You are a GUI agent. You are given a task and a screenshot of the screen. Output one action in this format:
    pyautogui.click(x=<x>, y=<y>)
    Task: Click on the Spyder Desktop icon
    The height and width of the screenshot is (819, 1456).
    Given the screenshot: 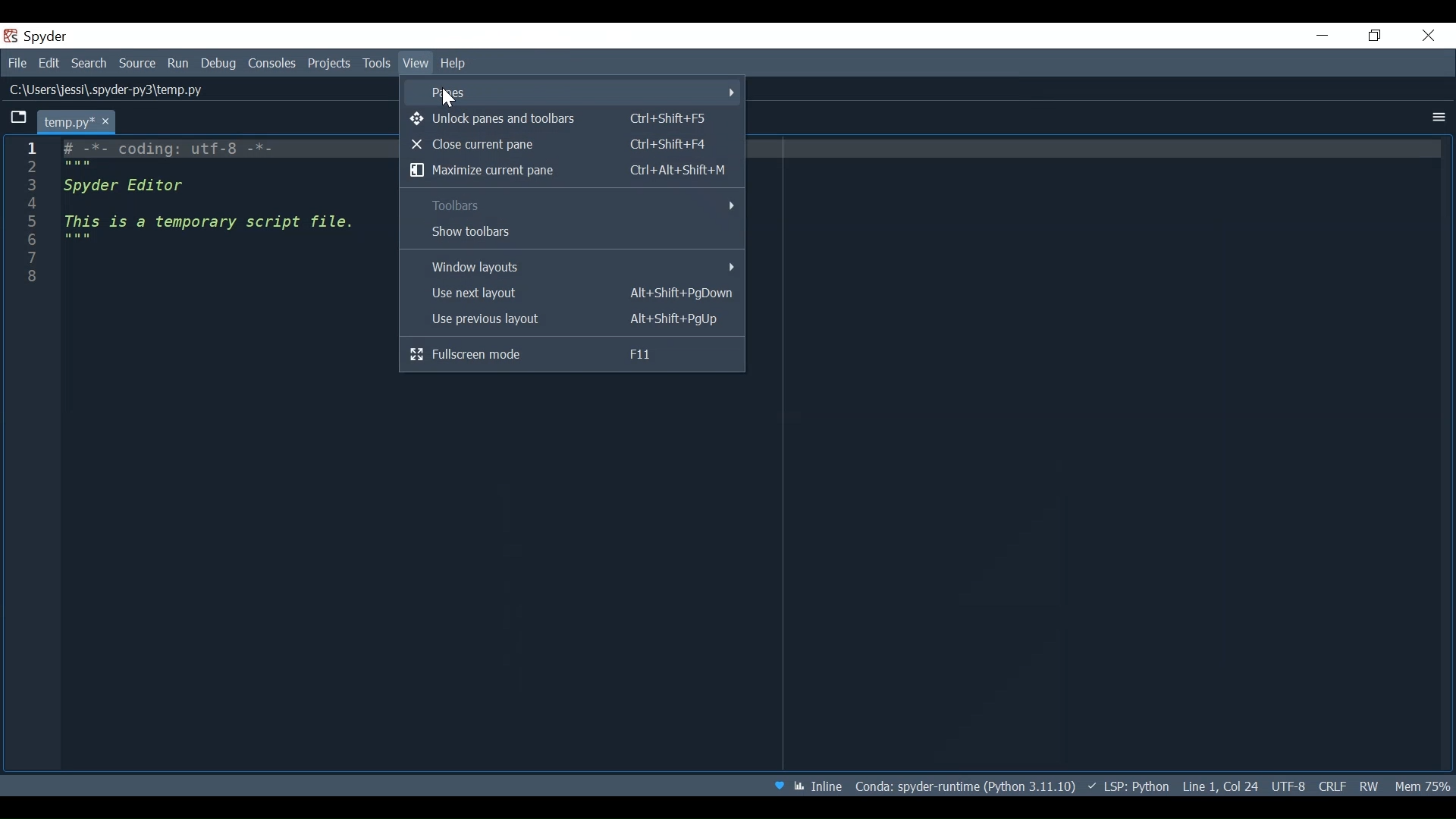 What is the action you would take?
    pyautogui.click(x=39, y=36)
    